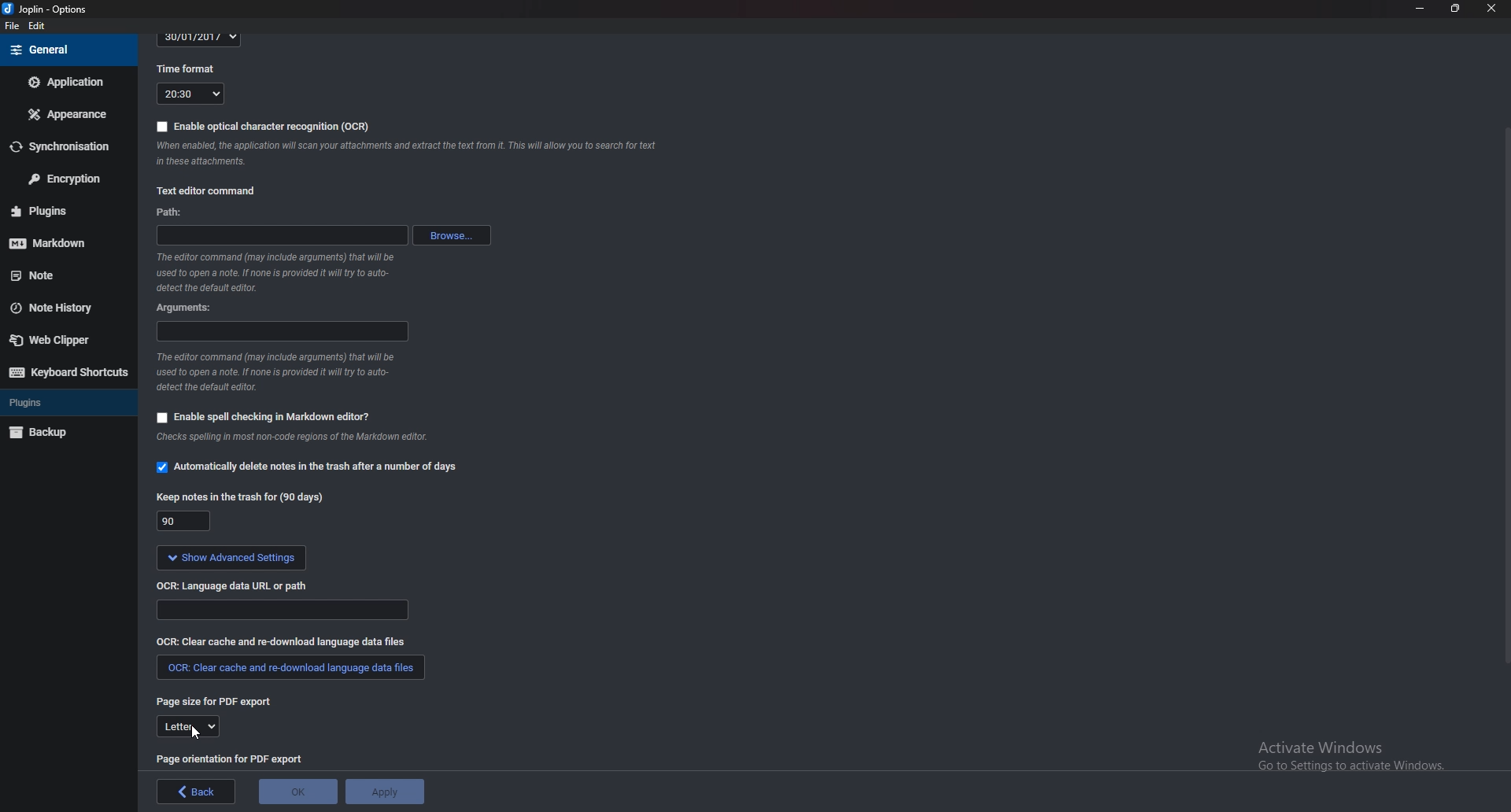 Image resolution: width=1511 pixels, height=812 pixels. Describe the element at coordinates (59, 276) in the screenshot. I see `note` at that location.